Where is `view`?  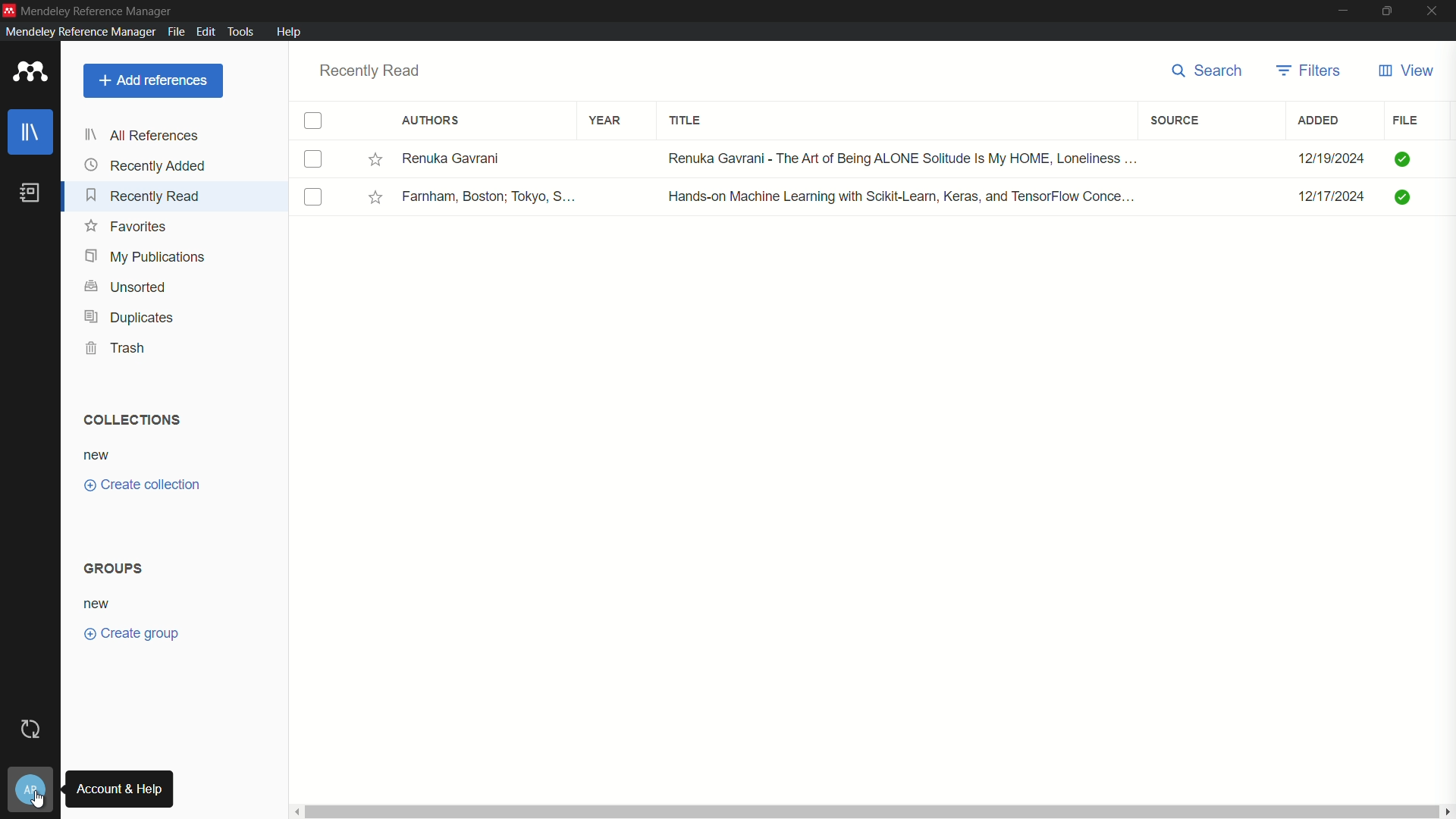
view is located at coordinates (1406, 73).